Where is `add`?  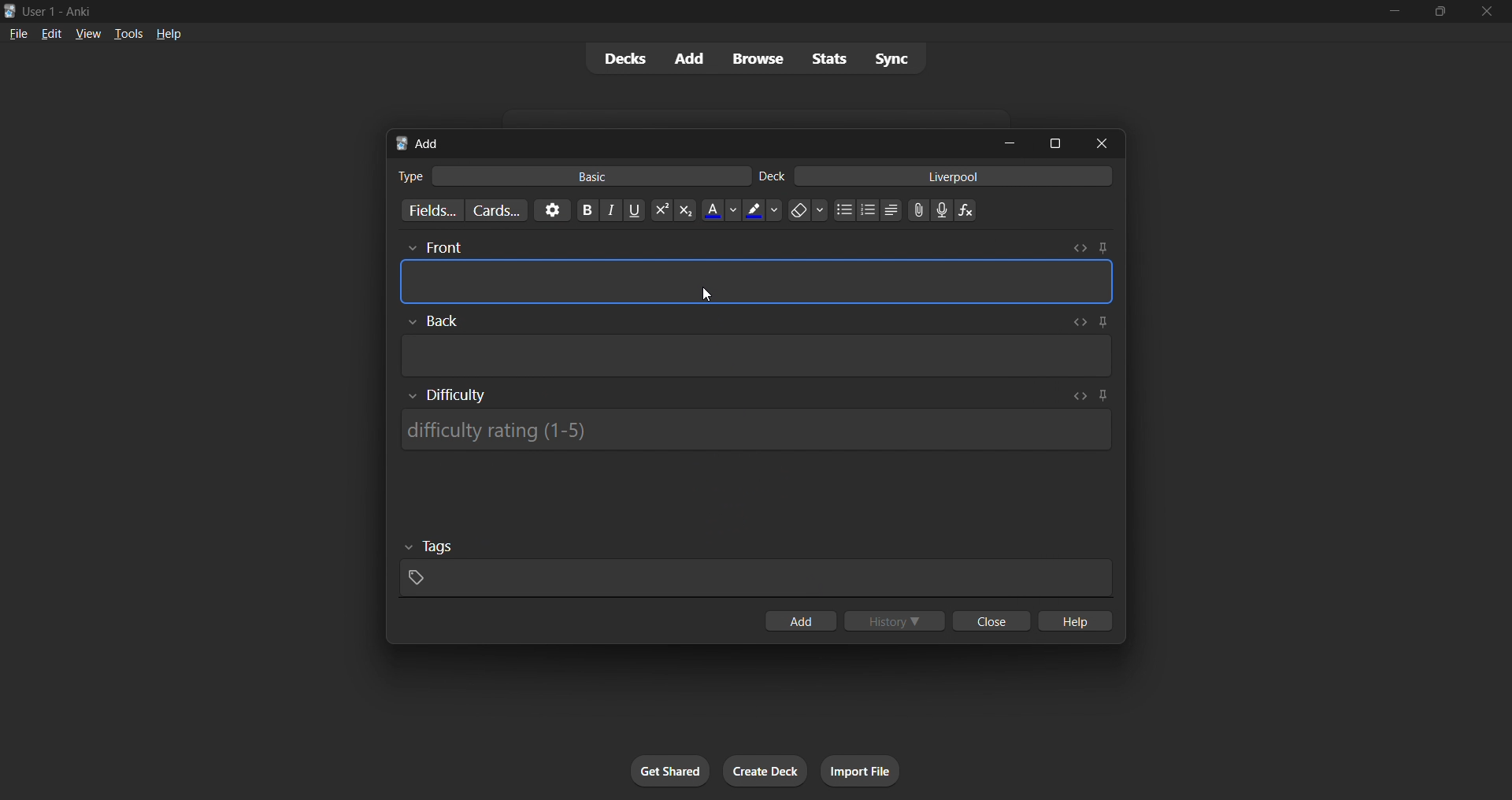
add is located at coordinates (800, 620).